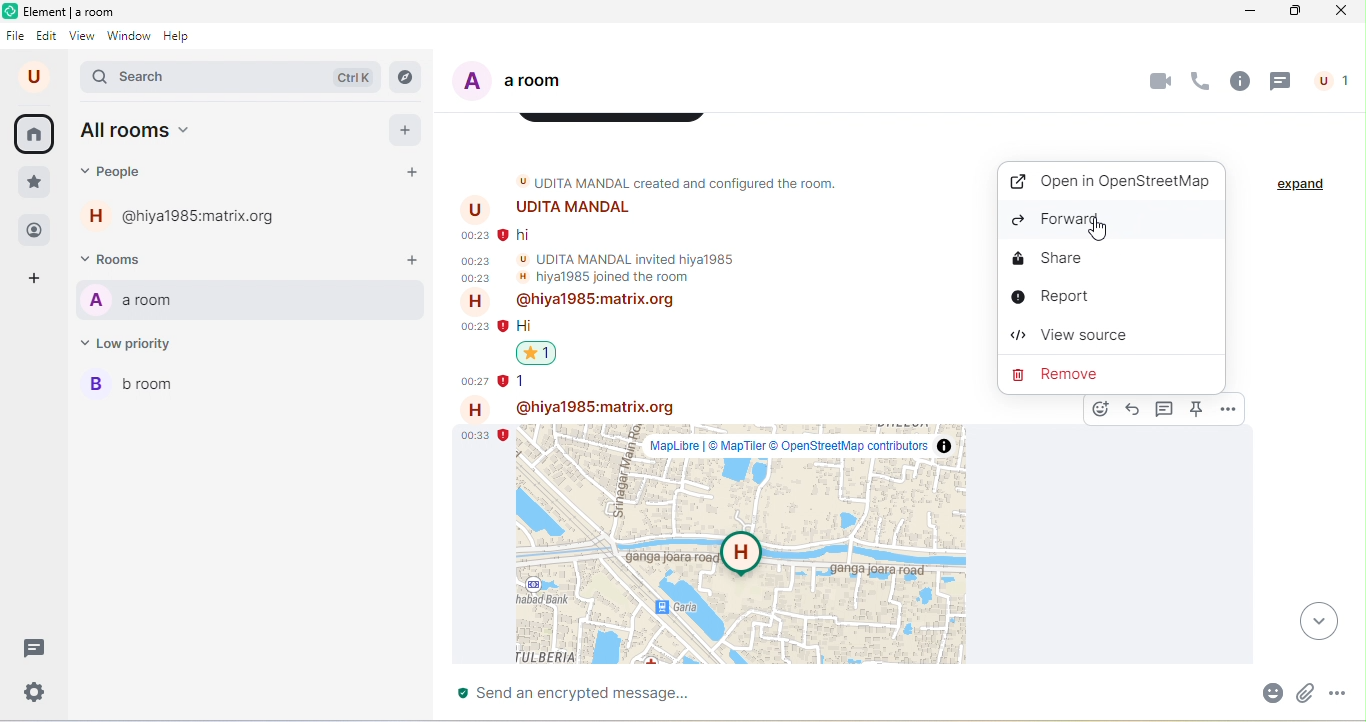 The image size is (1366, 722). Describe the element at coordinates (16, 36) in the screenshot. I see `file` at that location.